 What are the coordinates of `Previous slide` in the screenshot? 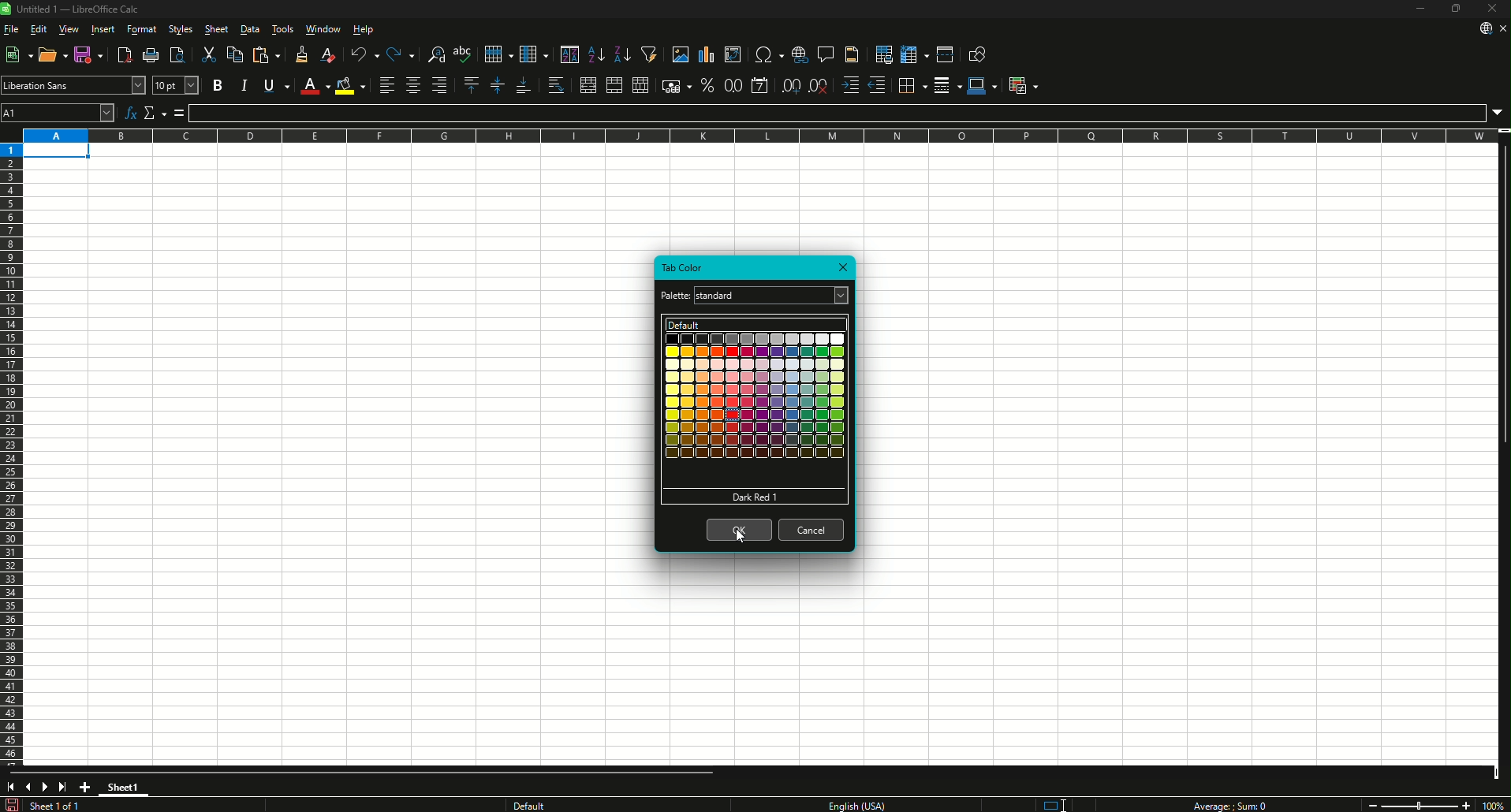 It's located at (25, 786).